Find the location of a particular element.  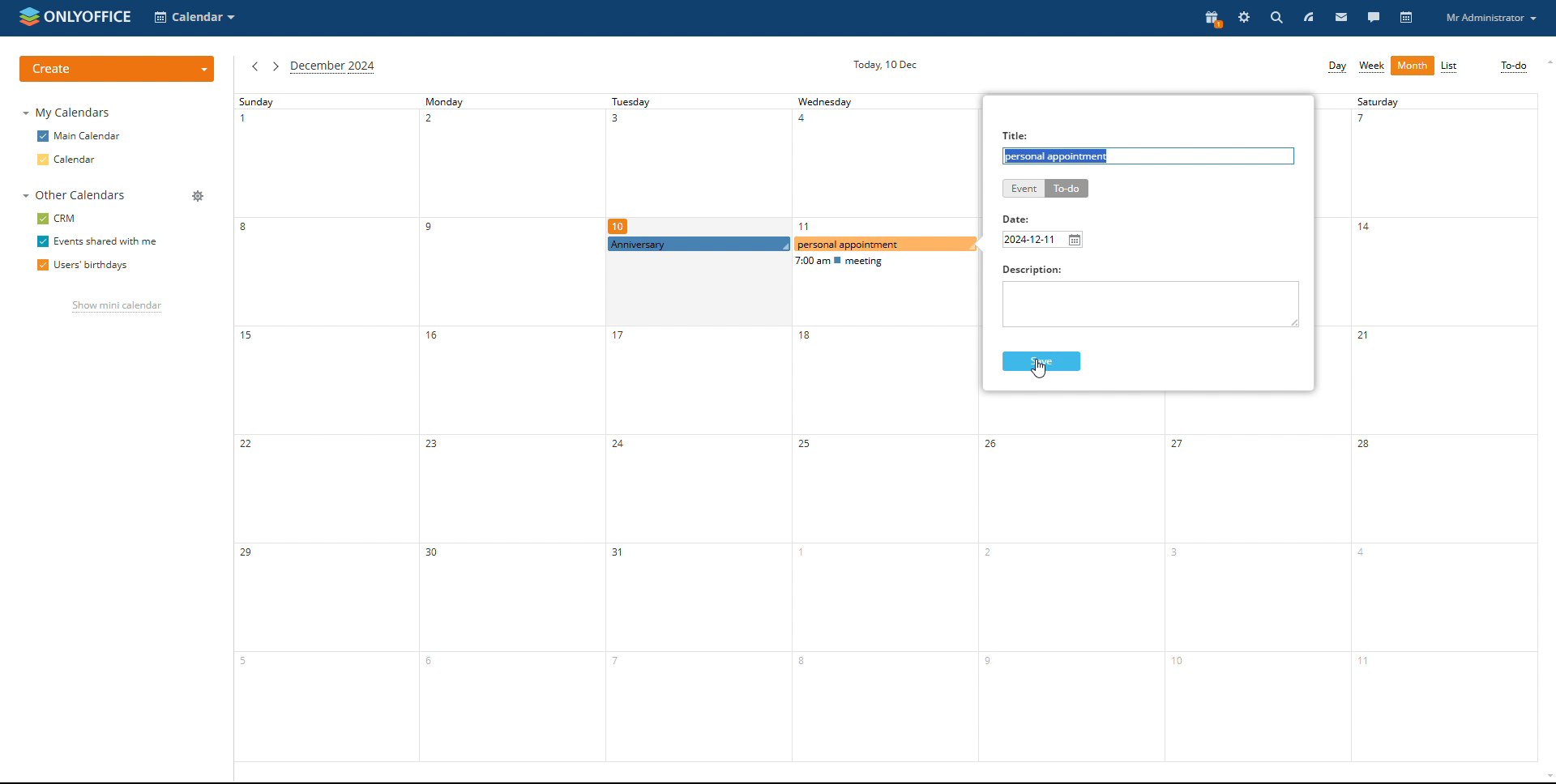

to-do being create is located at coordinates (886, 243).